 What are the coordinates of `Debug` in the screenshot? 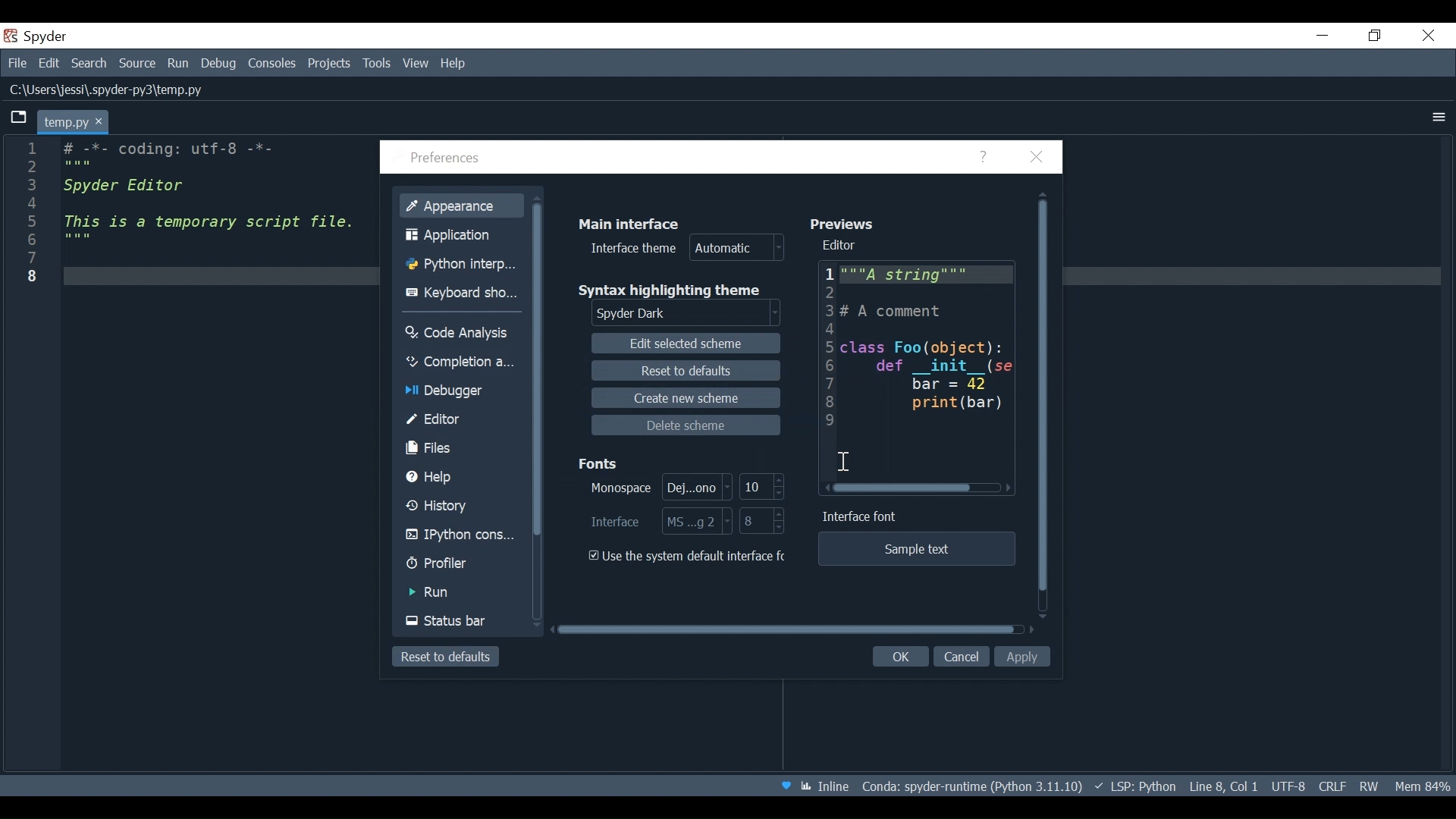 It's located at (221, 64).